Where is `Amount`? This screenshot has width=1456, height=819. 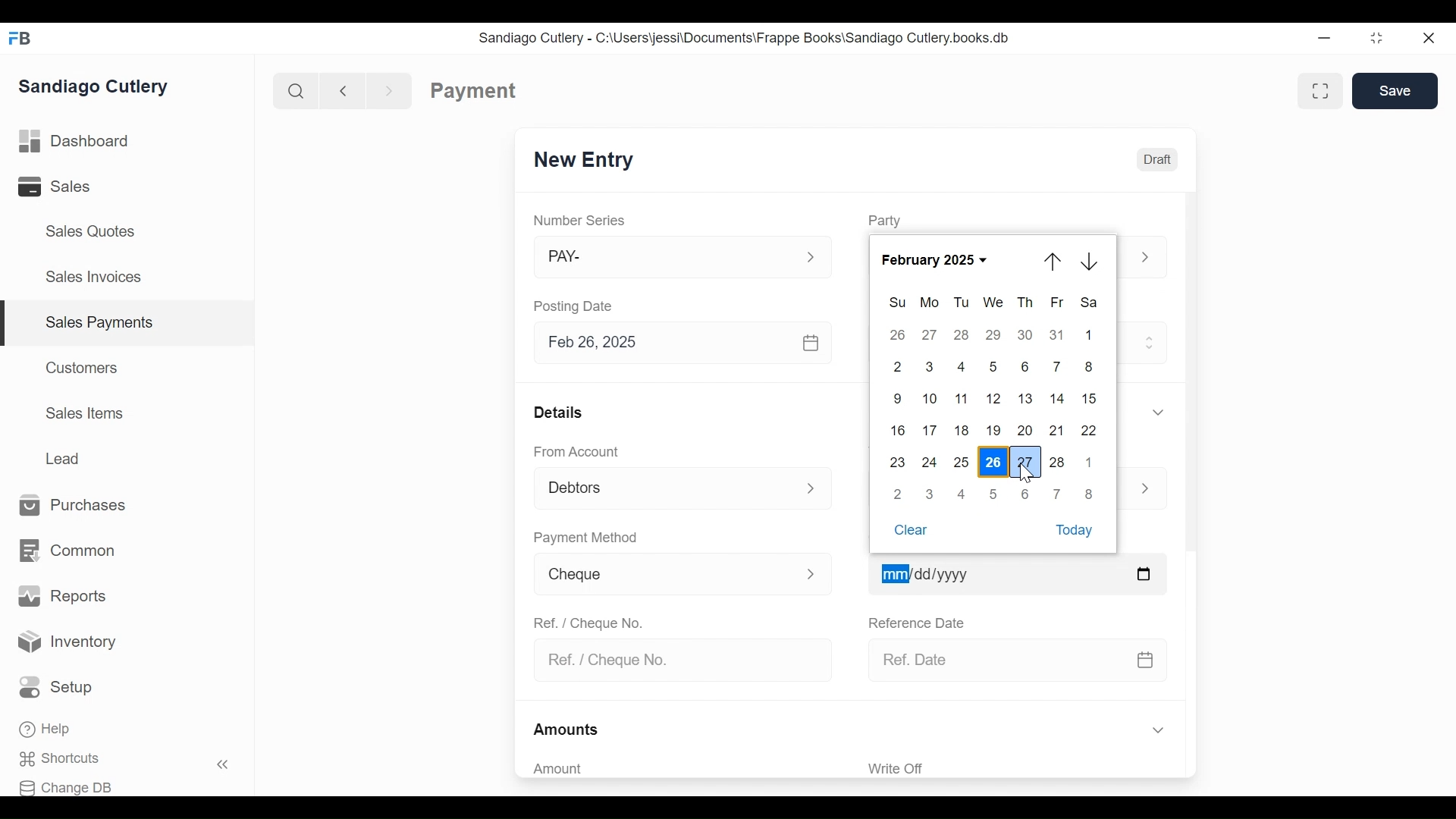
Amount is located at coordinates (675, 769).